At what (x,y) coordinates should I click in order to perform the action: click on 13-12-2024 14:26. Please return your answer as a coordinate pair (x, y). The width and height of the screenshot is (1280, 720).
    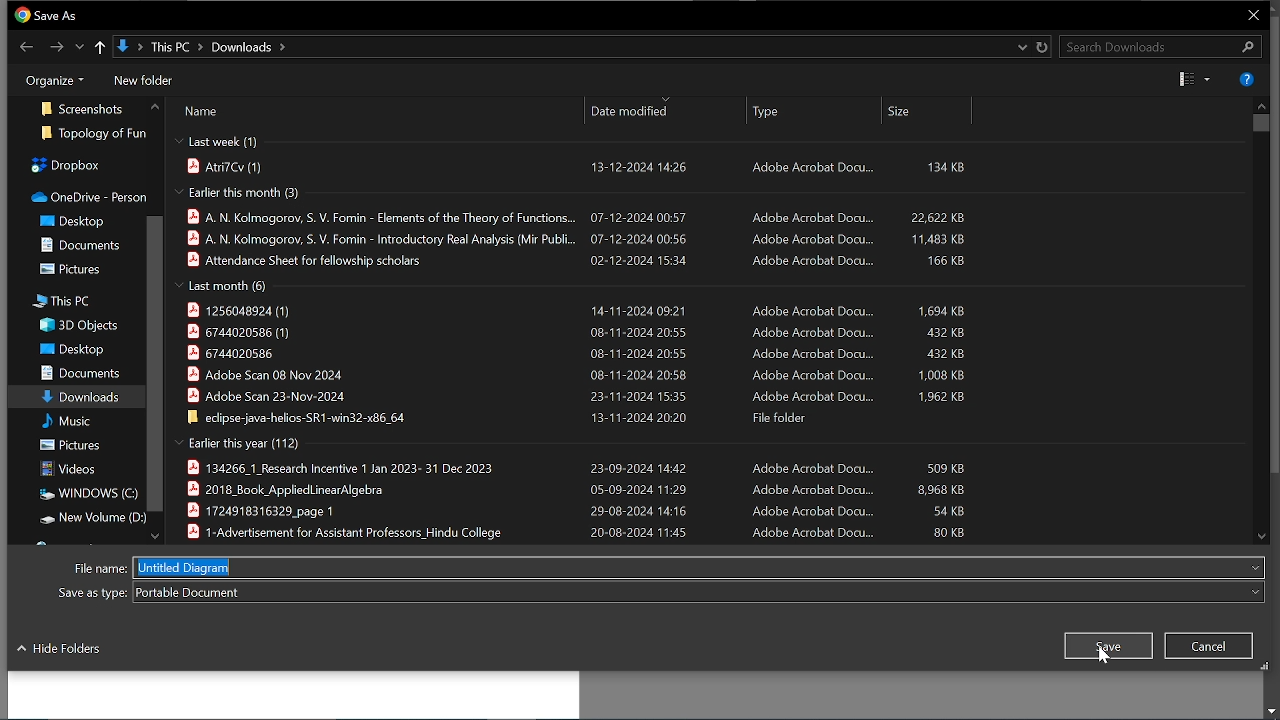
    Looking at the image, I should click on (638, 167).